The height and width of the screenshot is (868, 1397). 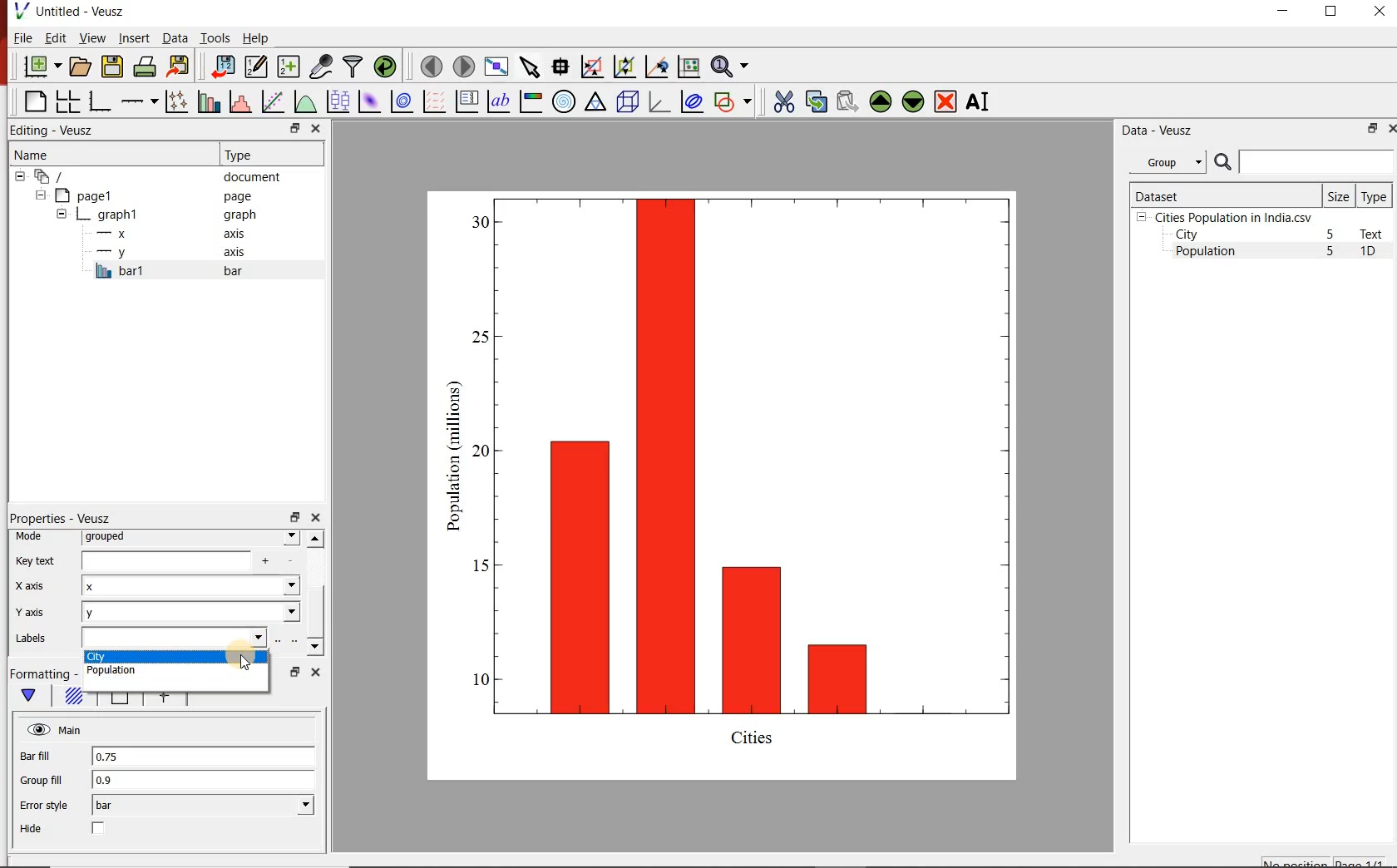 What do you see at coordinates (294, 672) in the screenshot?
I see `restore` at bounding box center [294, 672].